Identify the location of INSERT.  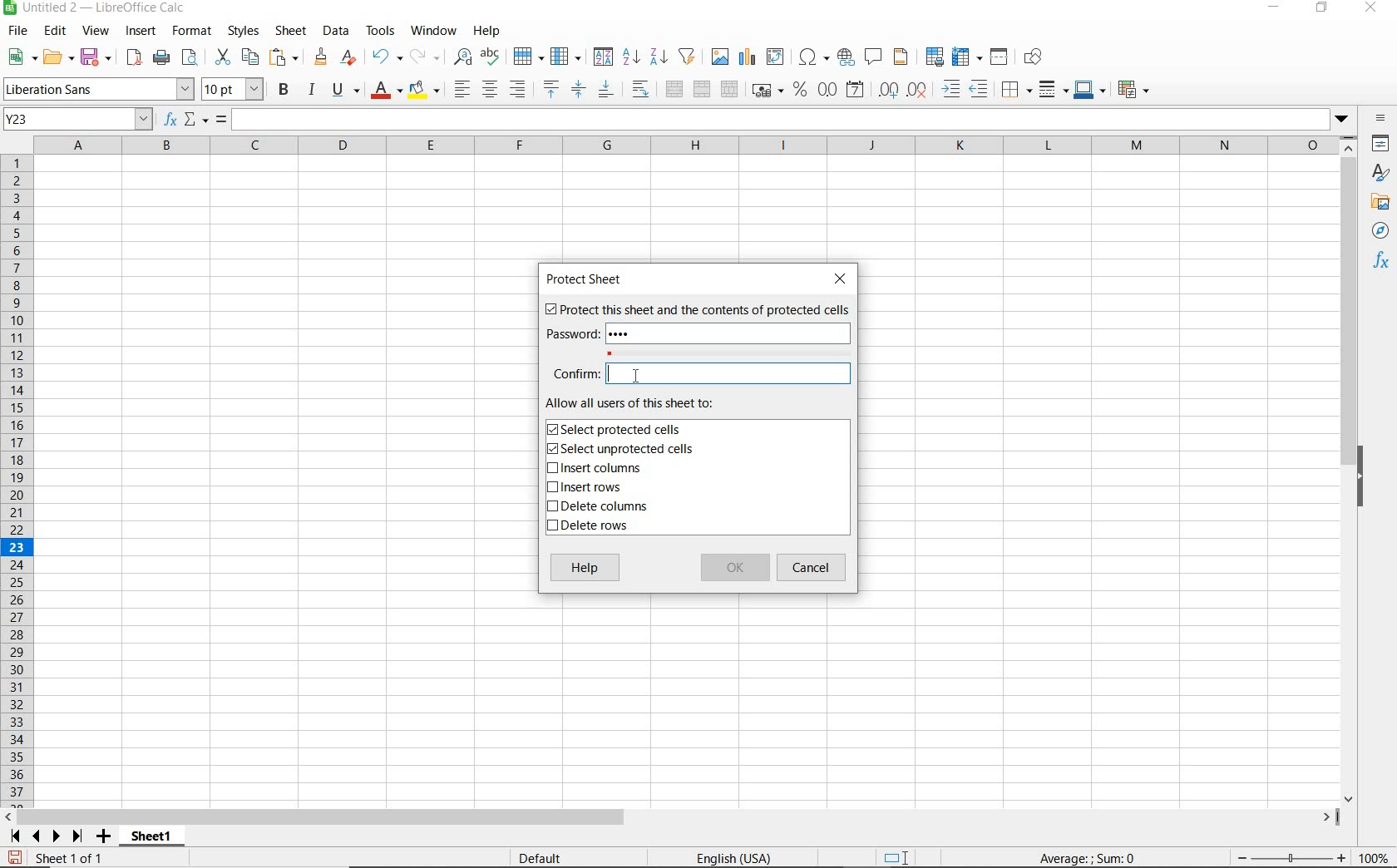
(141, 32).